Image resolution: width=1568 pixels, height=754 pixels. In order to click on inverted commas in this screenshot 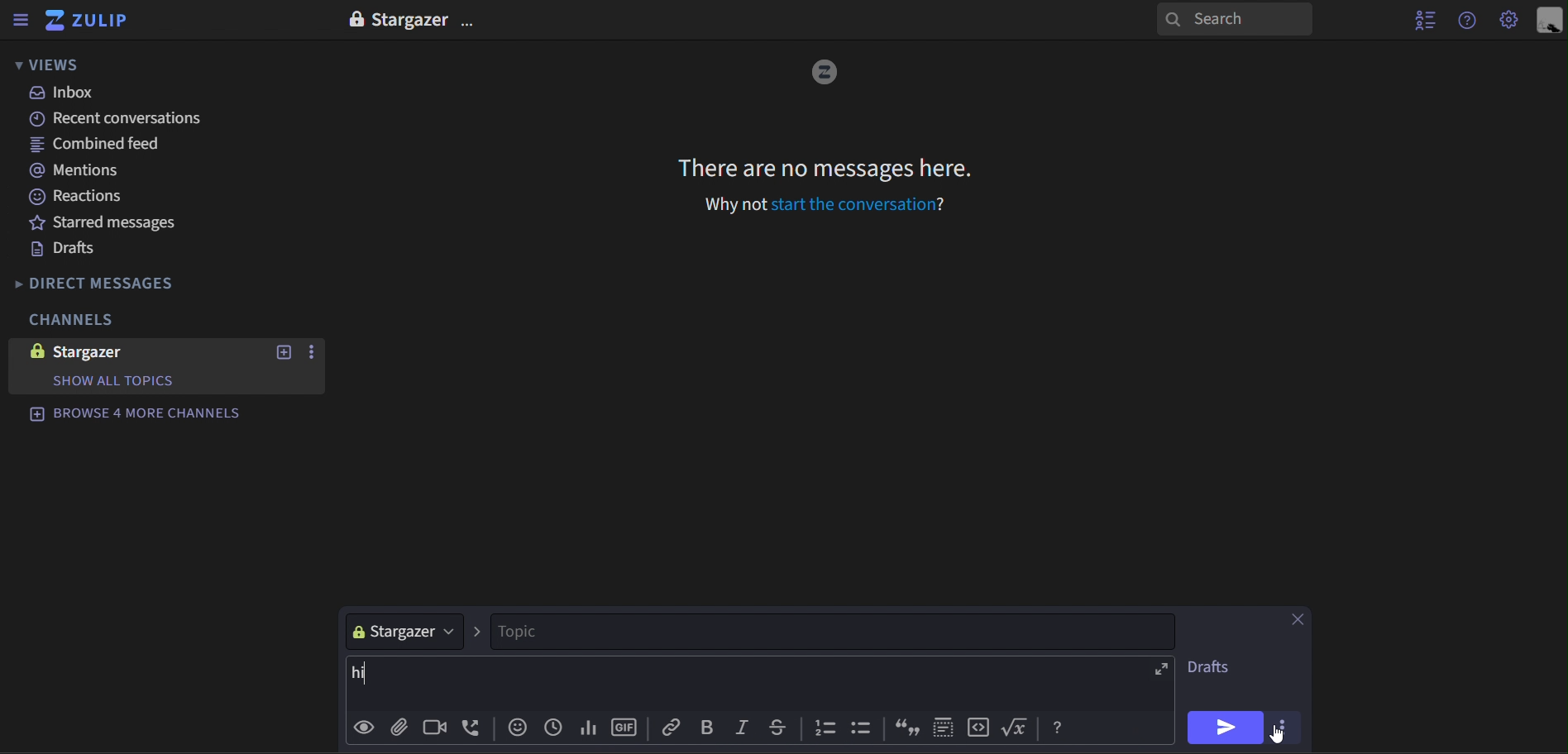, I will do `click(906, 727)`.